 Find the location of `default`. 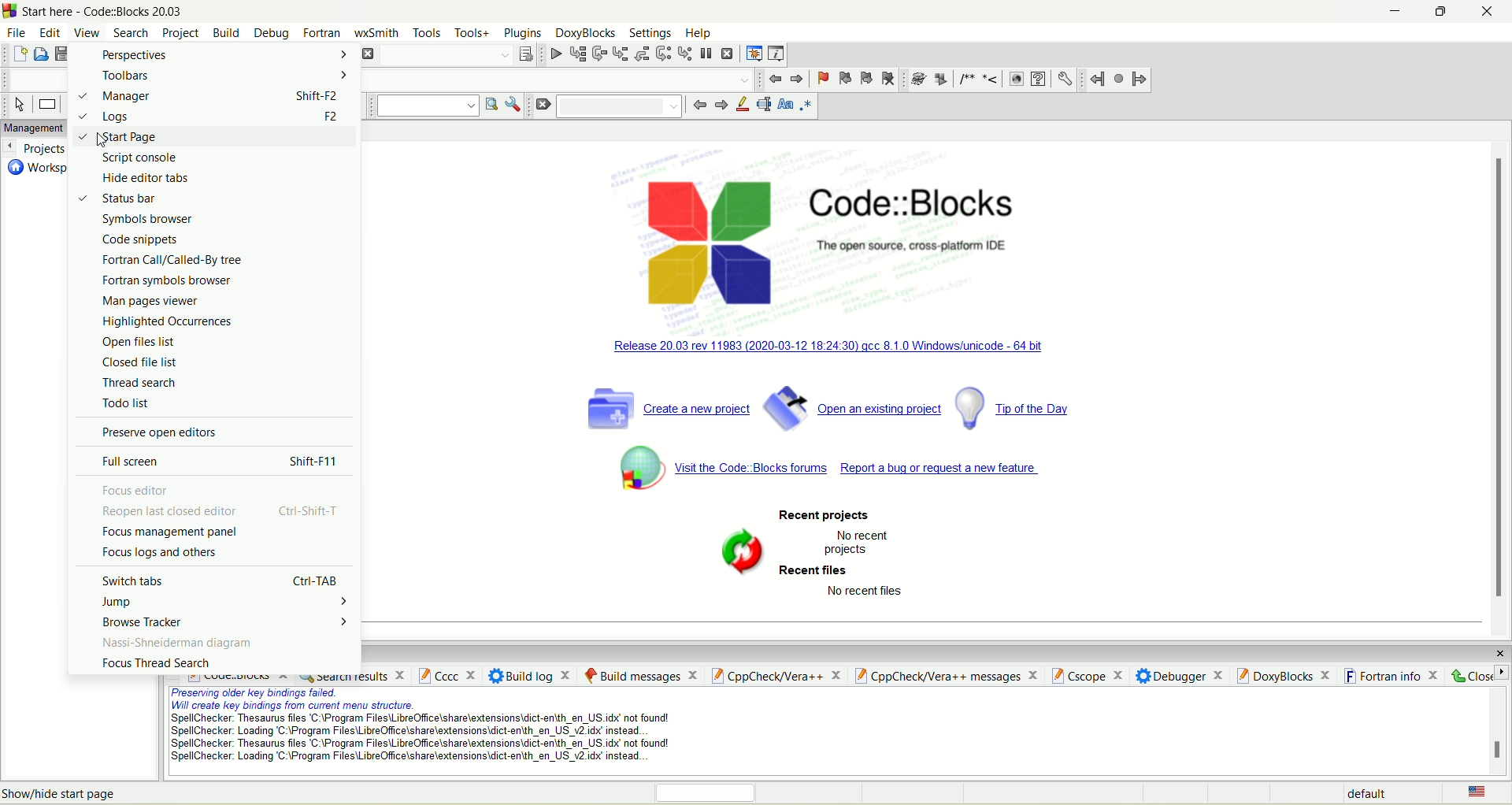

default is located at coordinates (1364, 793).